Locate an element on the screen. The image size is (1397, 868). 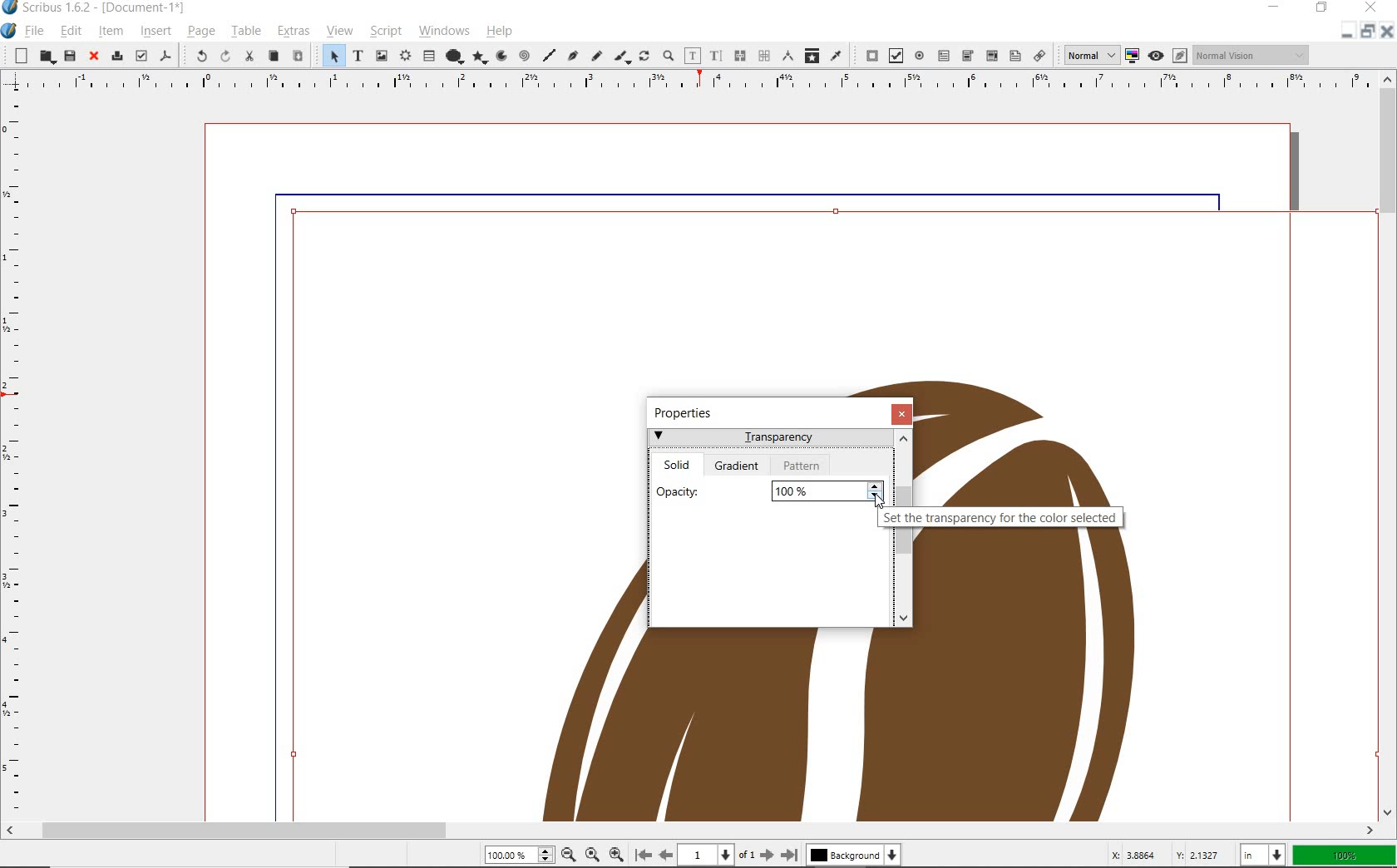
Zoom Out is located at coordinates (569, 855).